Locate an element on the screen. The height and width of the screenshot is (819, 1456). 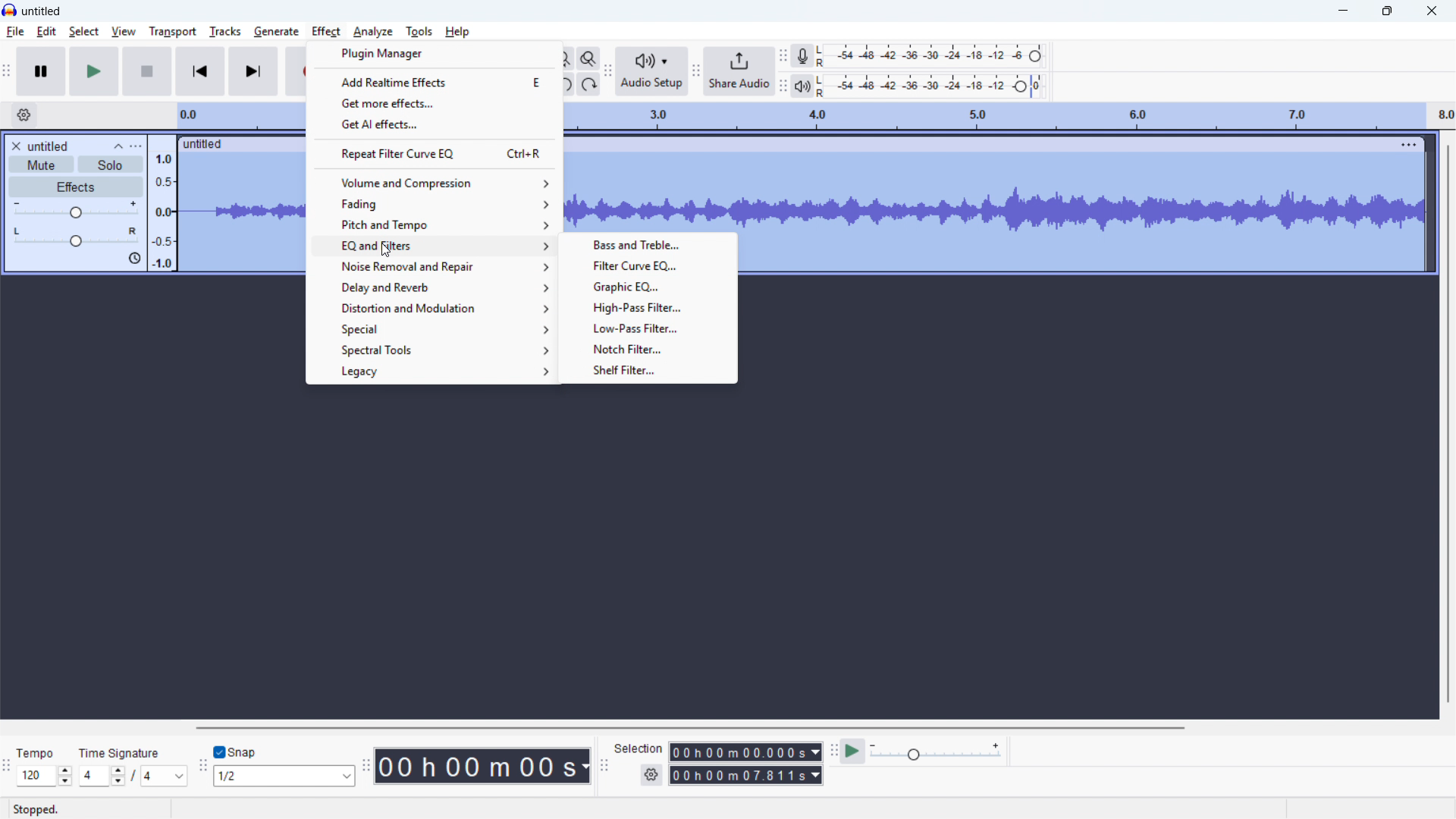
pan: centre is located at coordinates (76, 237).